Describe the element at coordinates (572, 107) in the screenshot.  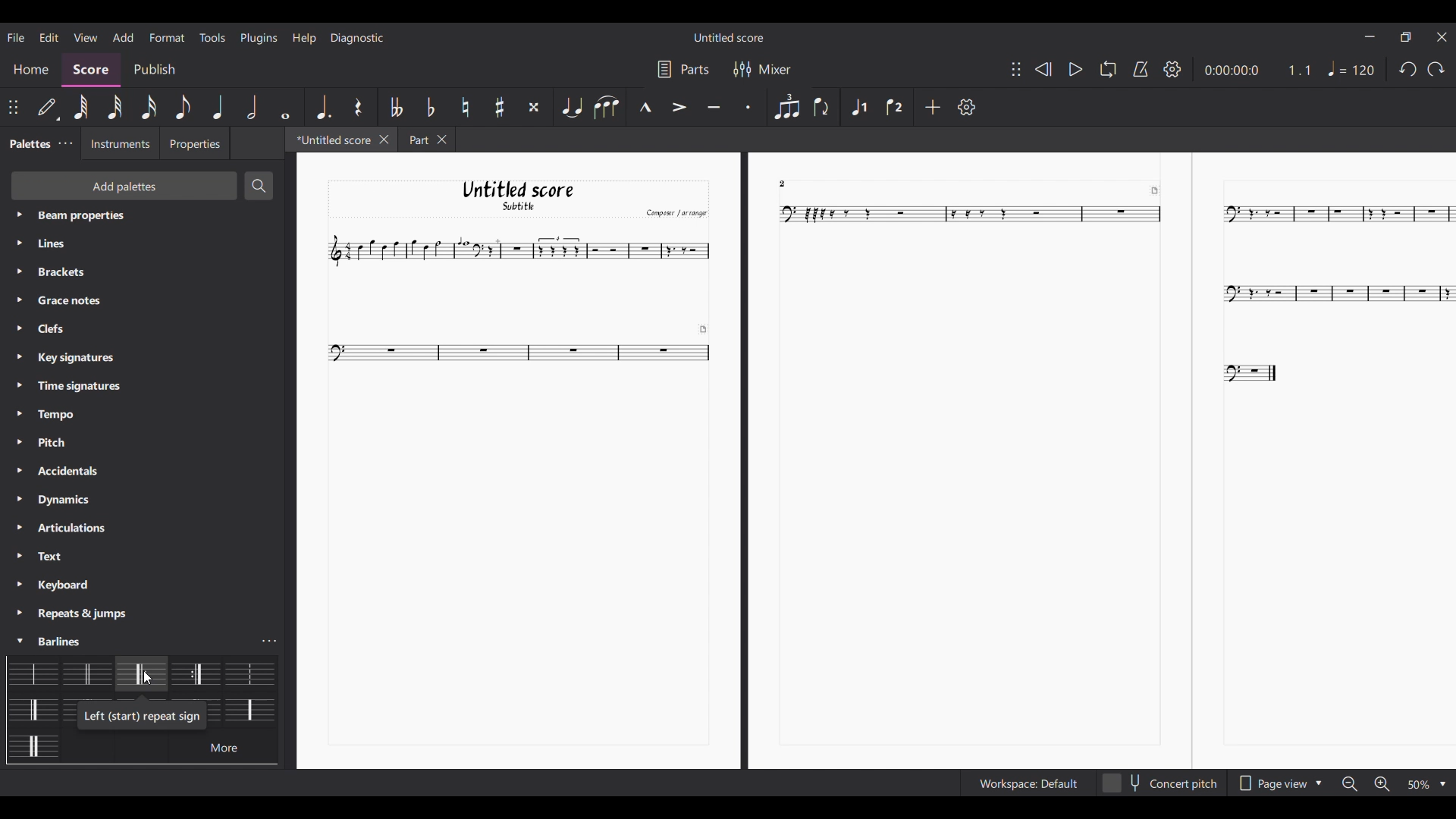
I see `Tie` at that location.